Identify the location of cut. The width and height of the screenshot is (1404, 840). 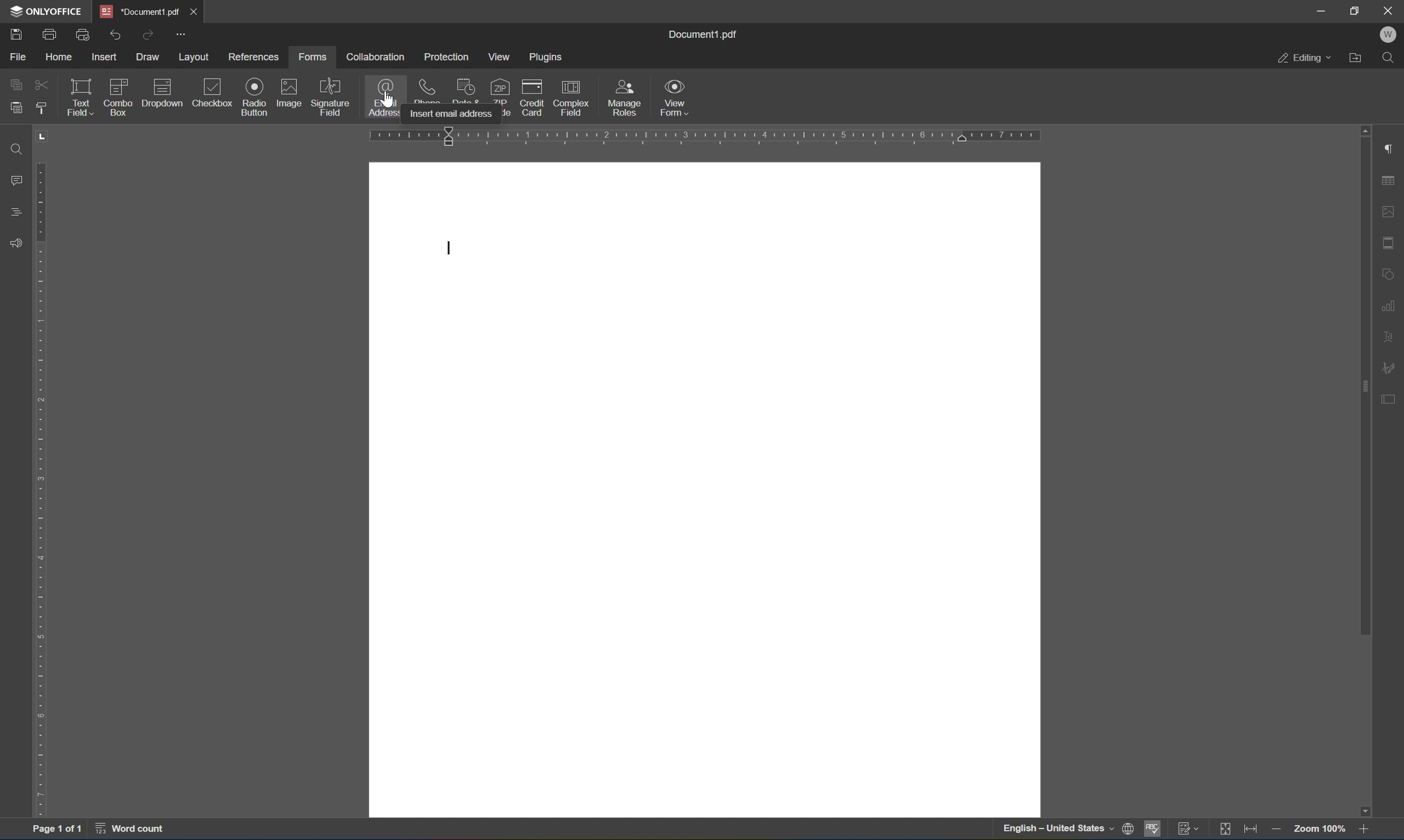
(40, 83).